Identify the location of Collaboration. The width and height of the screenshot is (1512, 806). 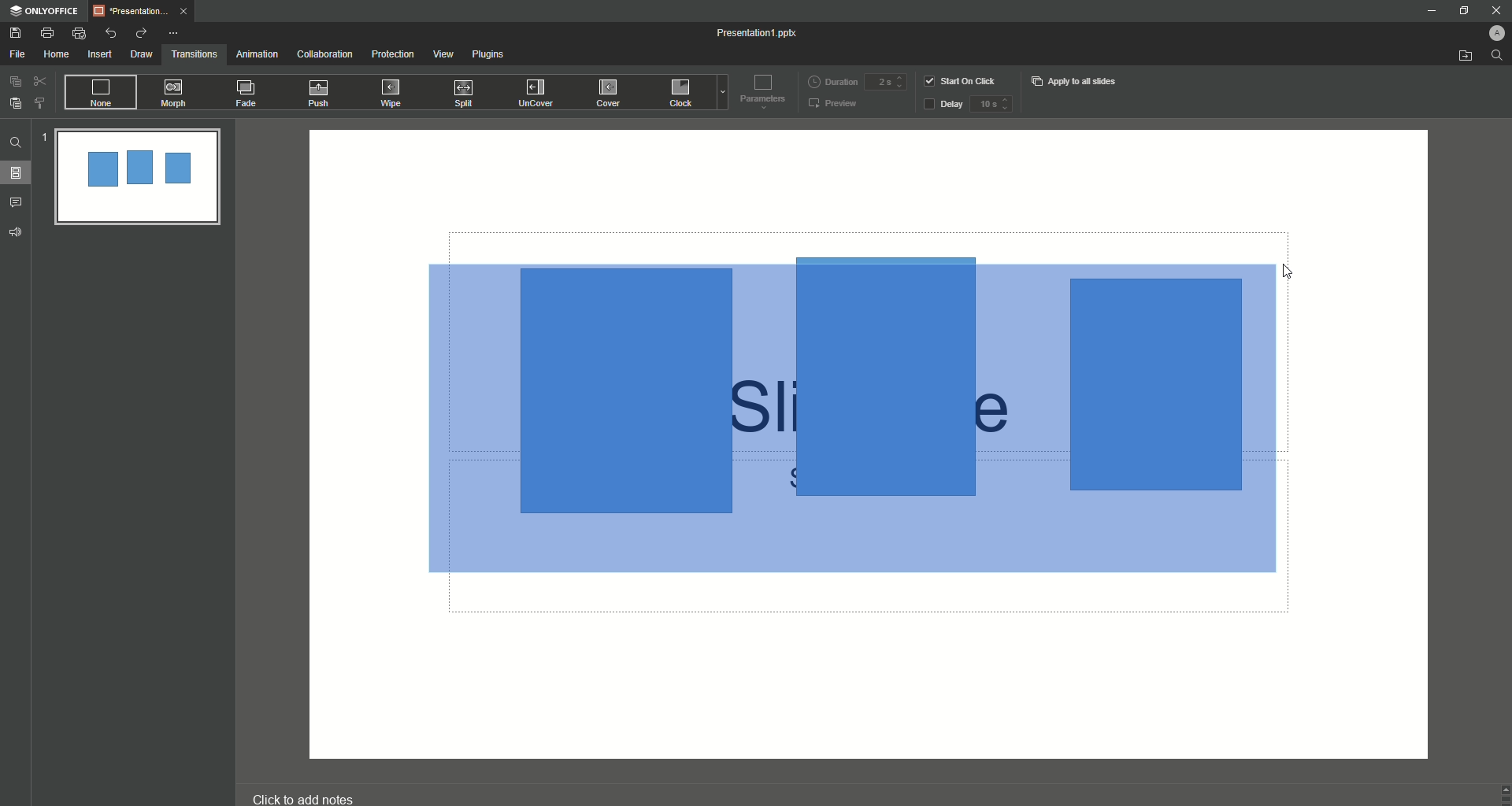
(325, 55).